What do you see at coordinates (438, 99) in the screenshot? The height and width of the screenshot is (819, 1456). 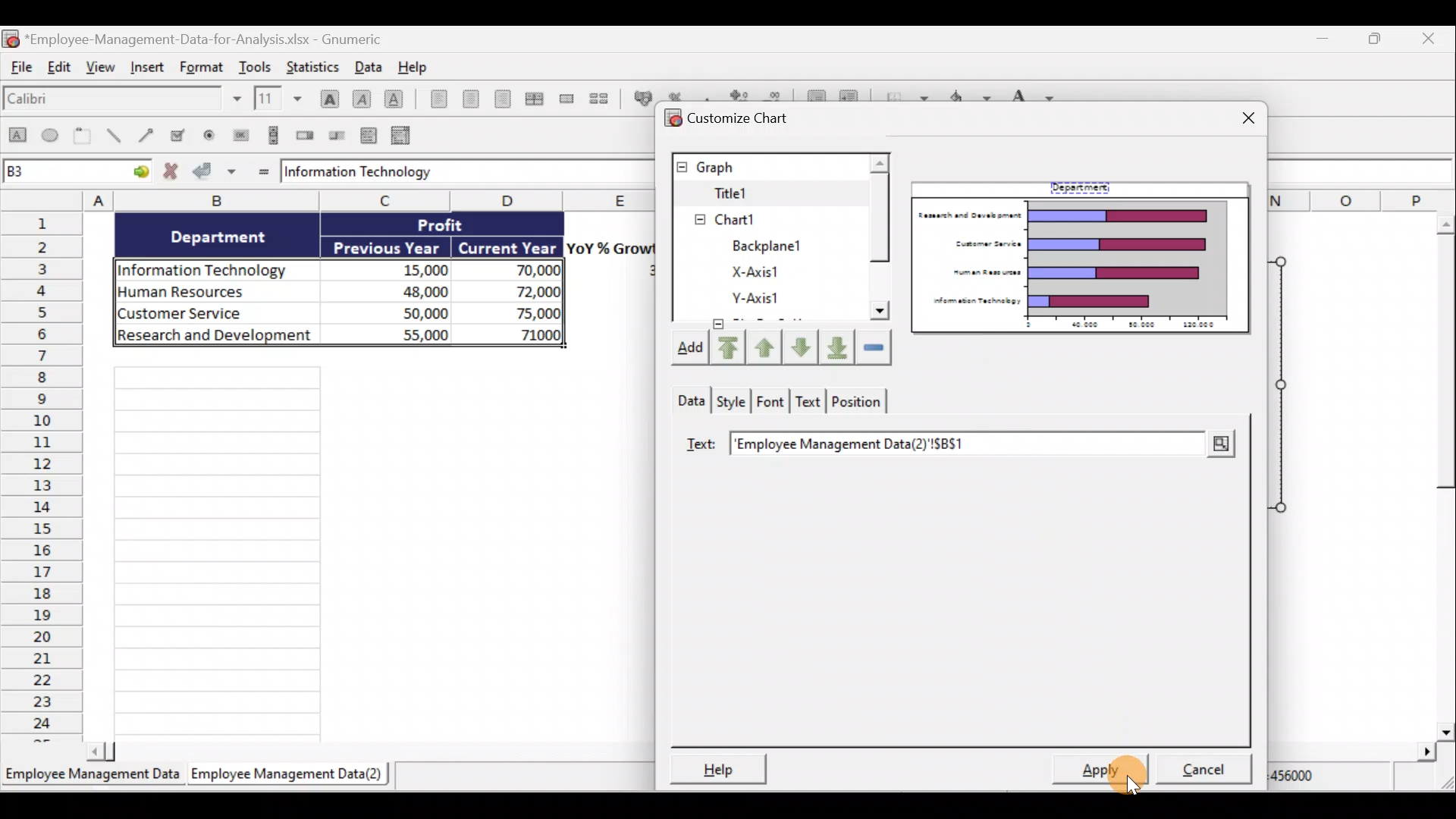 I see `Align left` at bounding box center [438, 99].